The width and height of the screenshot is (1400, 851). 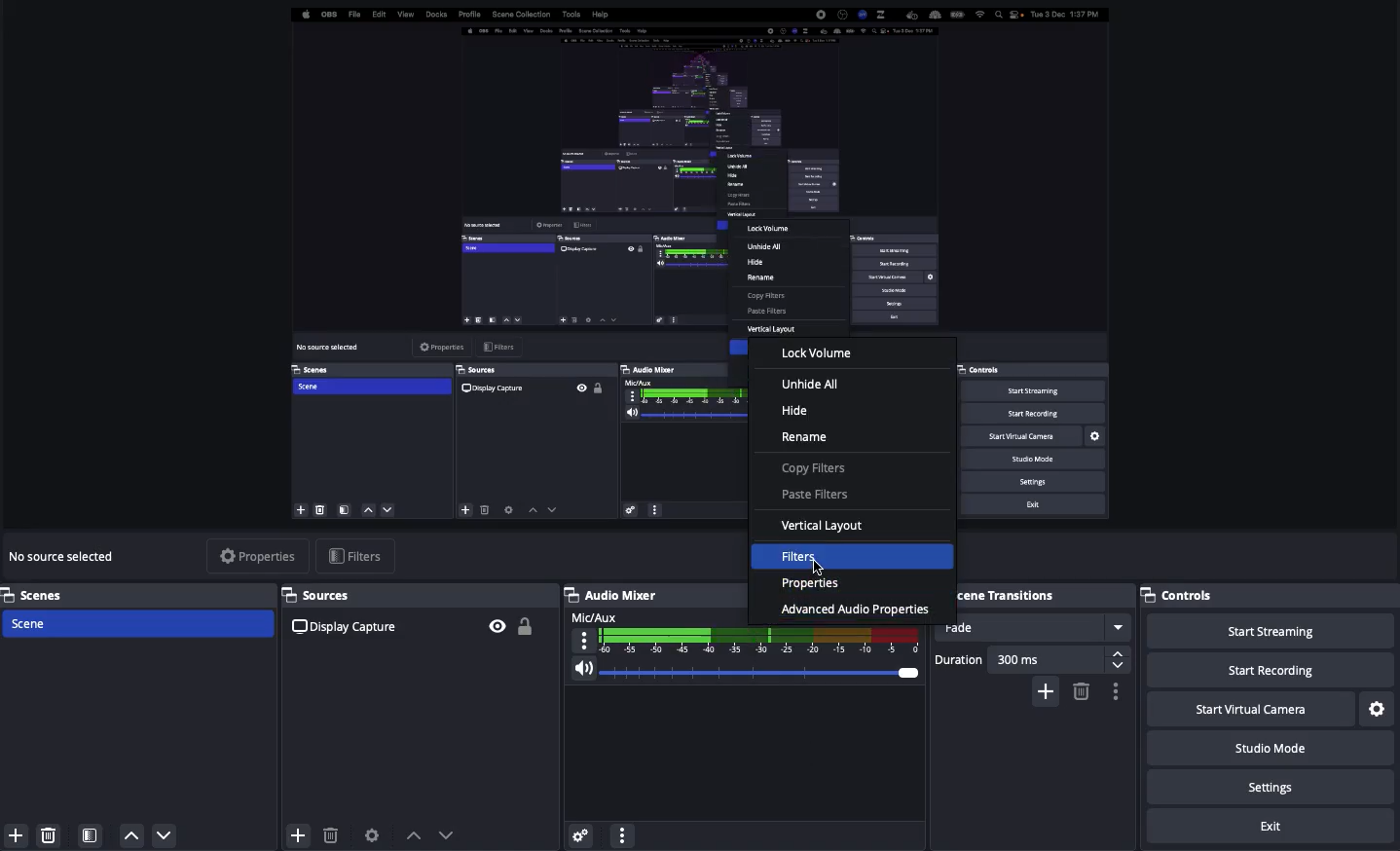 I want to click on Add, so click(x=296, y=832).